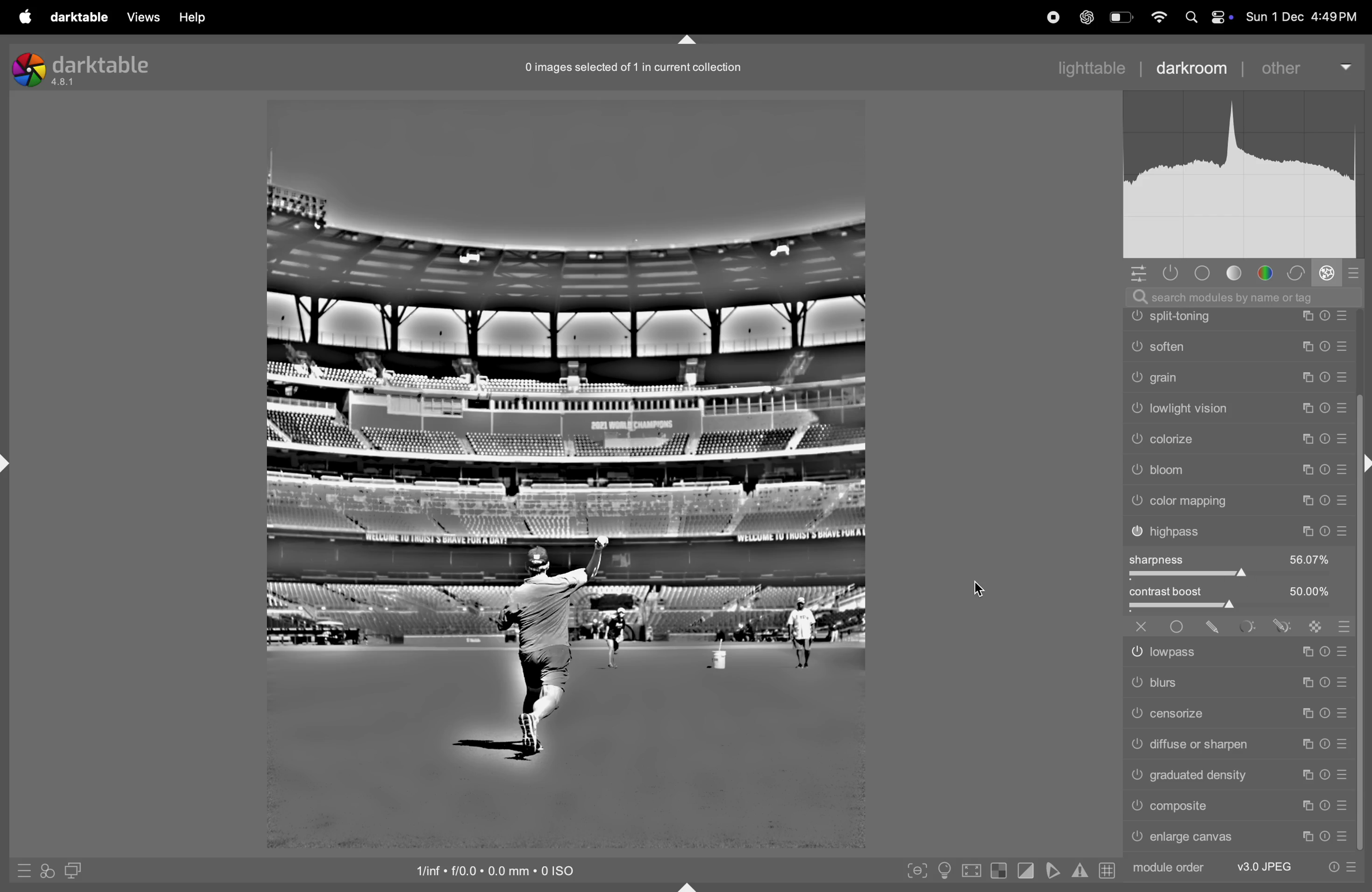 Image resolution: width=1372 pixels, height=892 pixels. What do you see at coordinates (1239, 619) in the screenshot?
I see `highpass` at bounding box center [1239, 619].